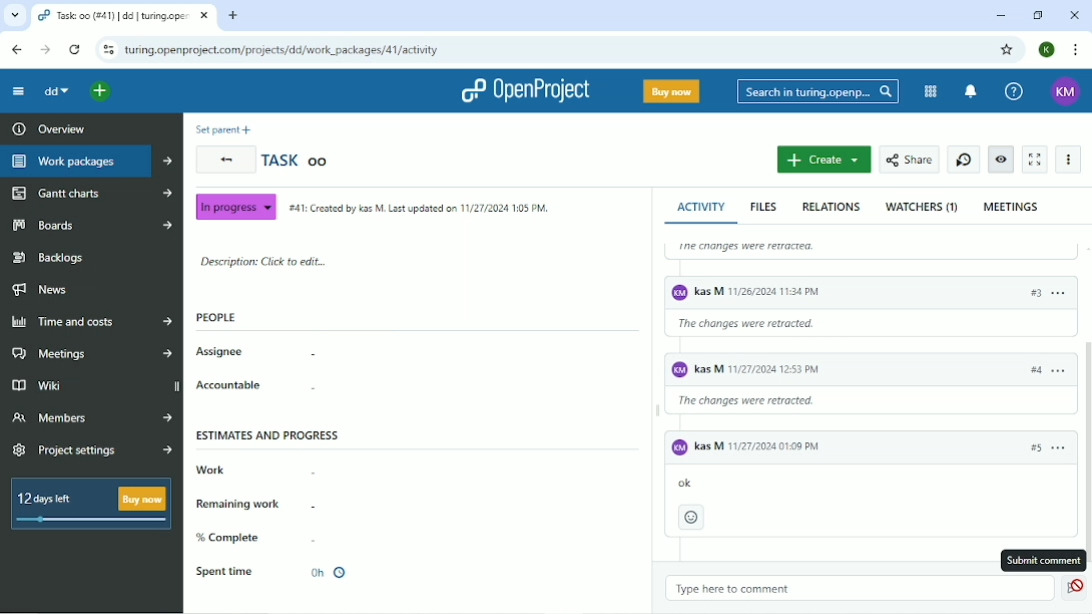  What do you see at coordinates (1065, 92) in the screenshot?
I see `KM` at bounding box center [1065, 92].